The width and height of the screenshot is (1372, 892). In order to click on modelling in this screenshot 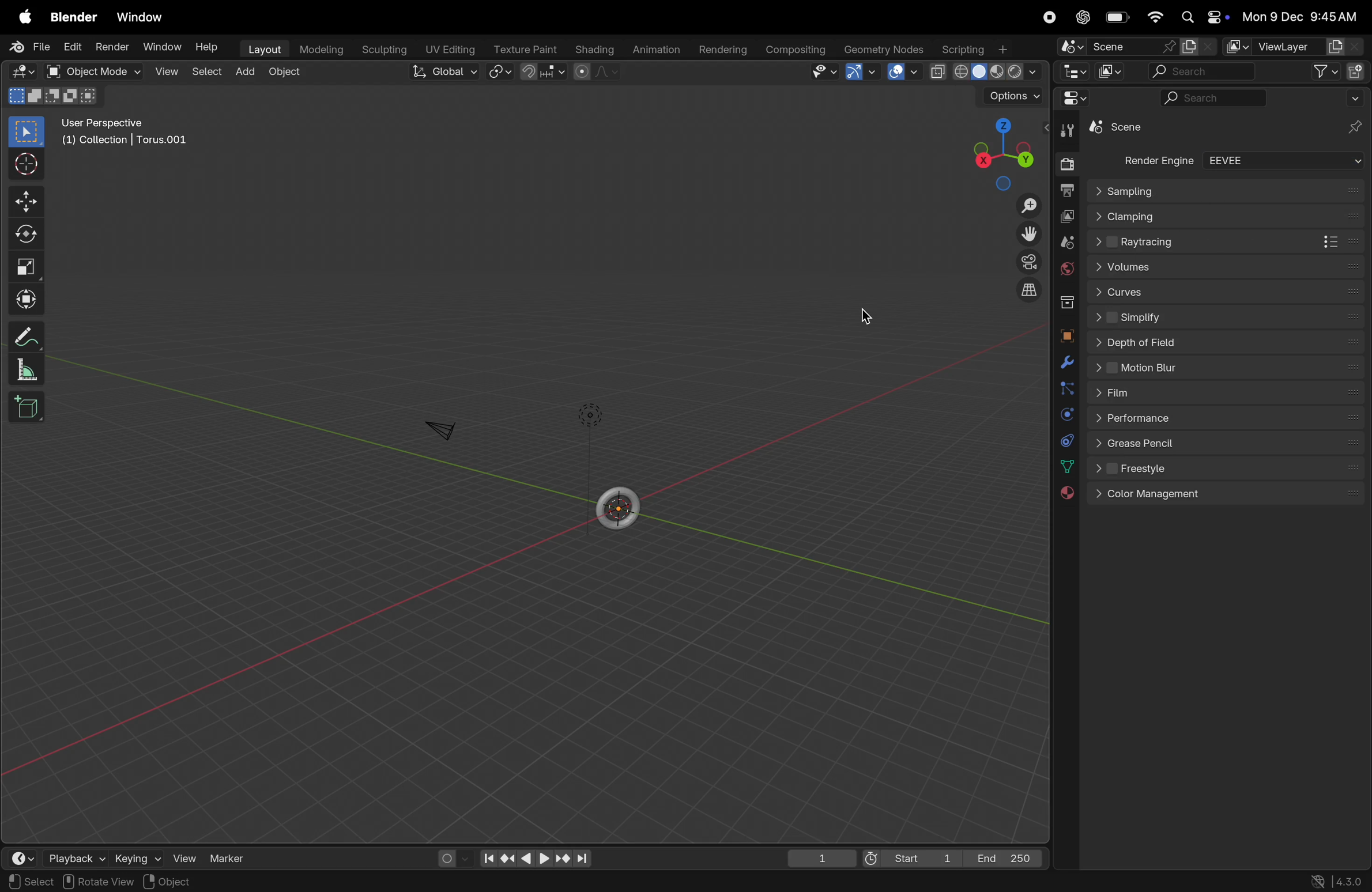, I will do `click(321, 50)`.